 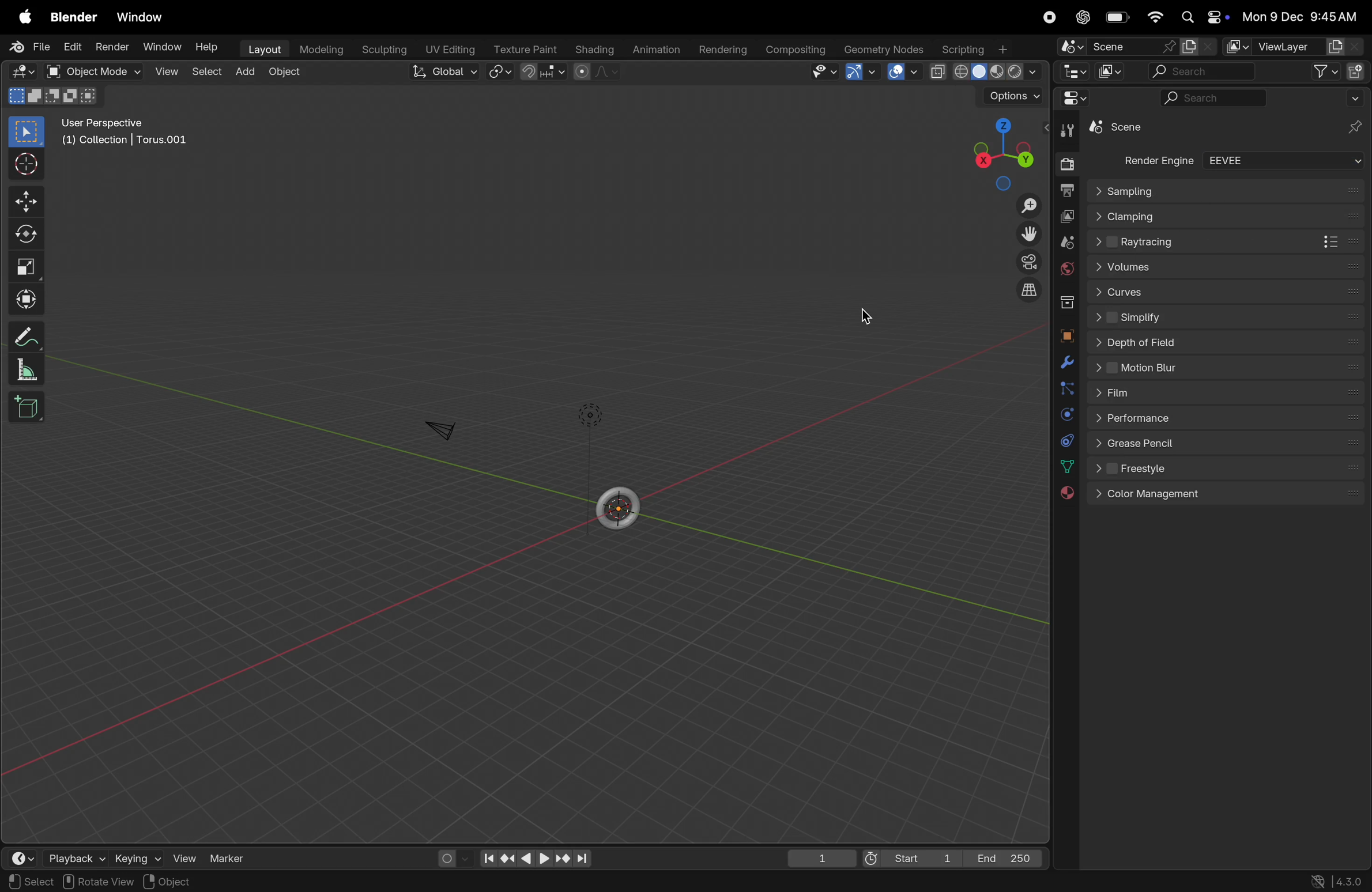 What do you see at coordinates (1072, 73) in the screenshot?
I see `Editor type` at bounding box center [1072, 73].